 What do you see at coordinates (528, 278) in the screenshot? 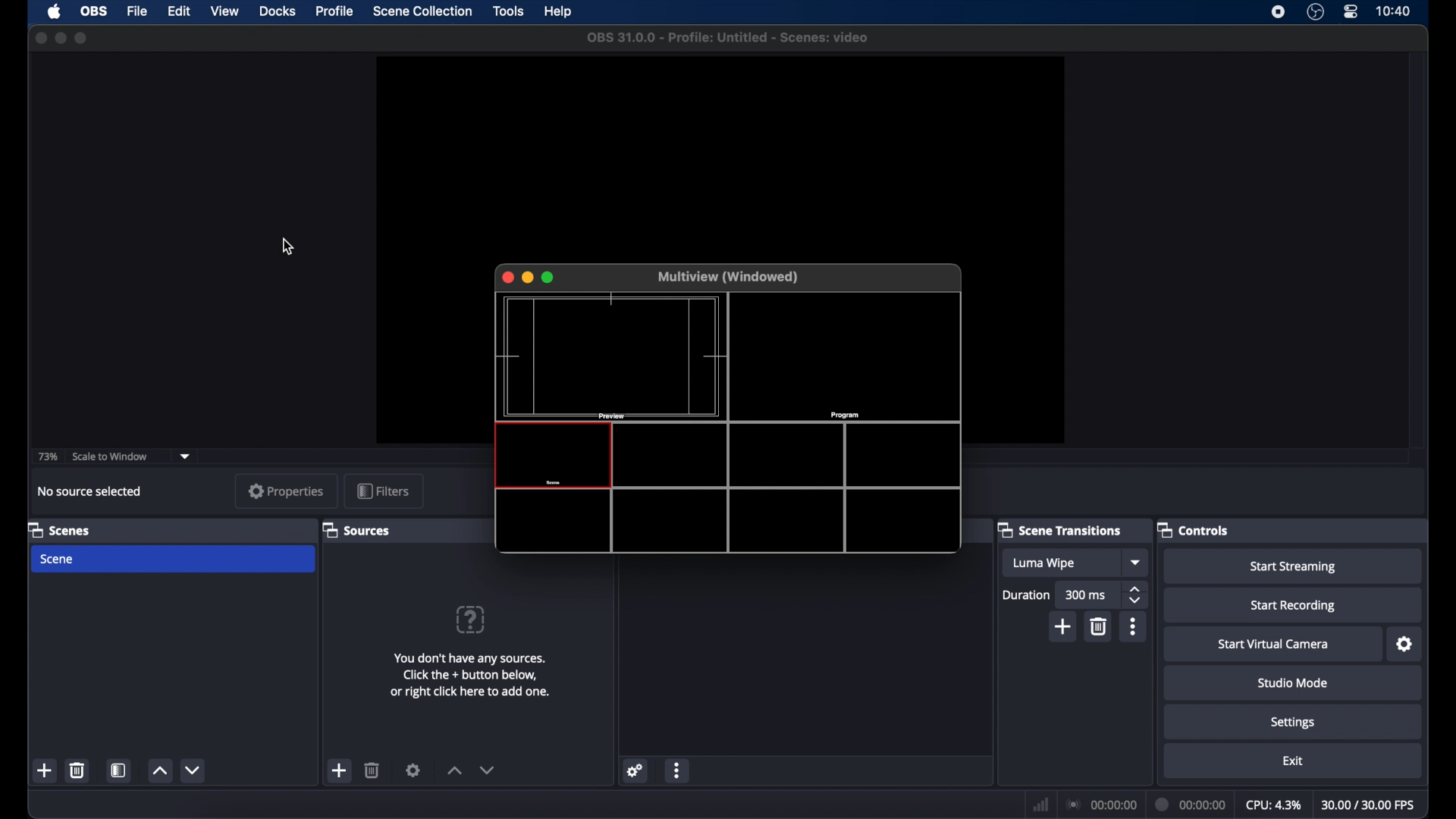
I see `minimize` at bounding box center [528, 278].